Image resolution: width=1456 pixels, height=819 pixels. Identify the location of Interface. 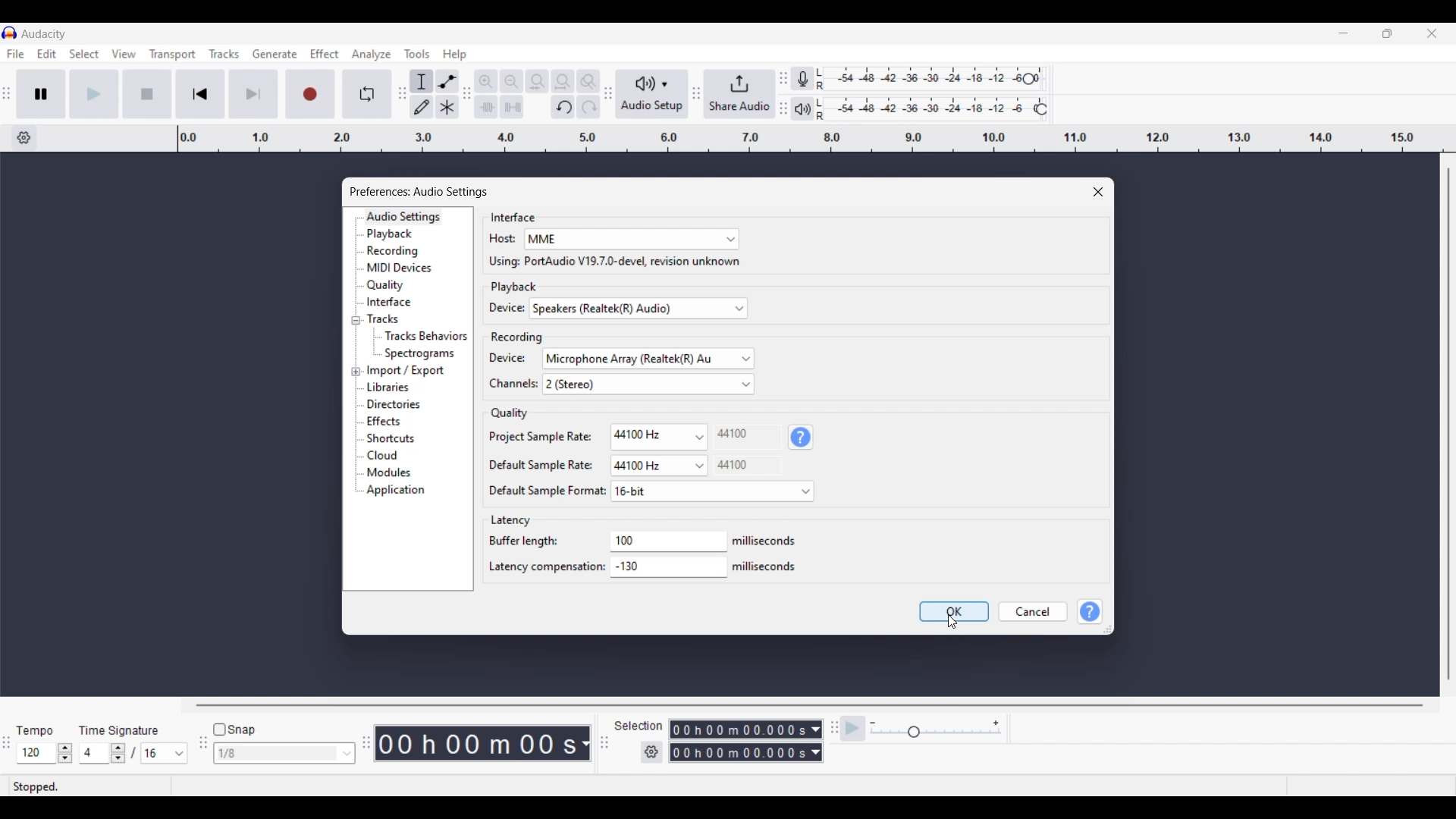
(507, 217).